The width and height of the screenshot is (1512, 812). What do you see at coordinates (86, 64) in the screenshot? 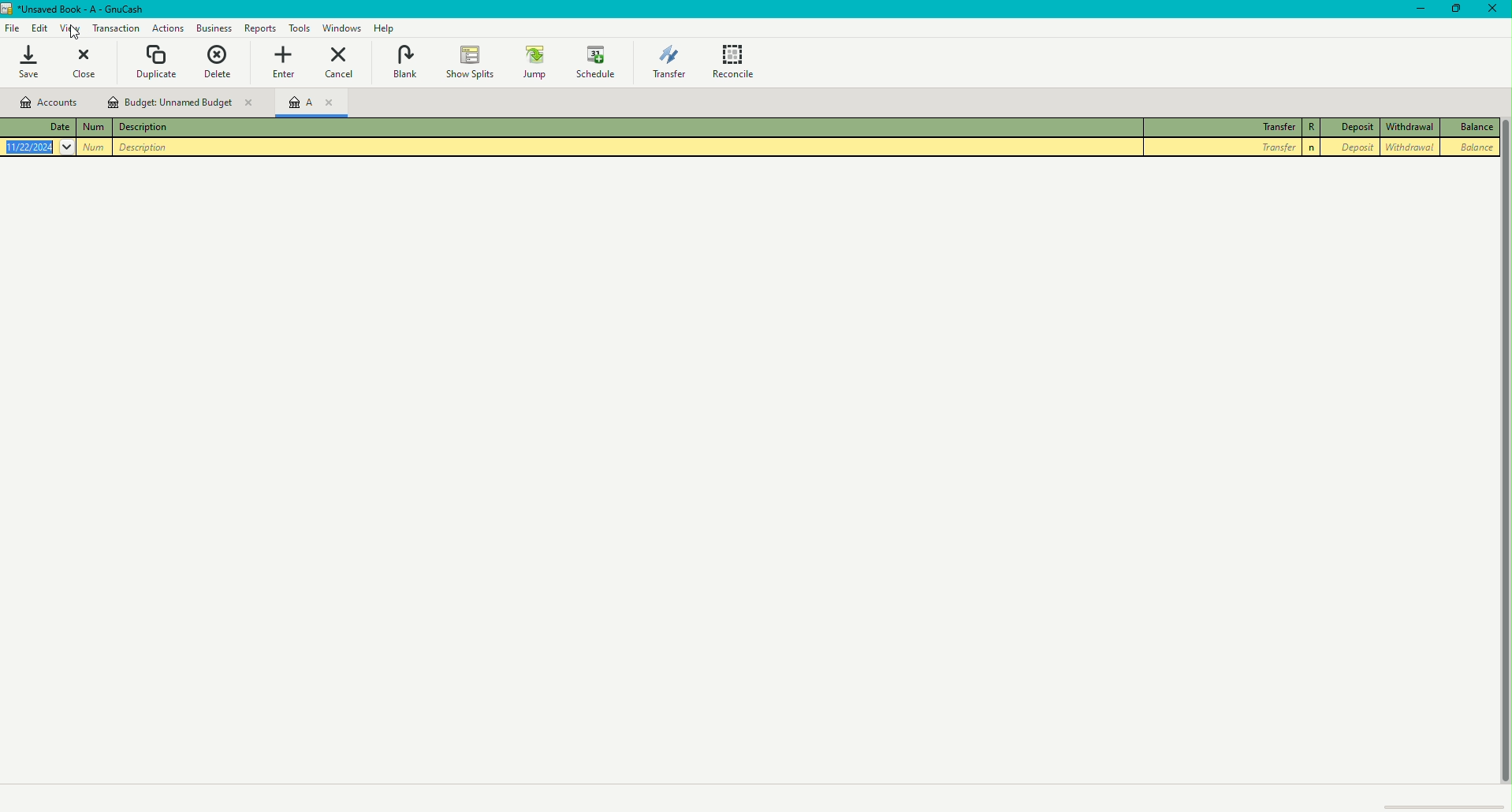
I see `Close` at bounding box center [86, 64].